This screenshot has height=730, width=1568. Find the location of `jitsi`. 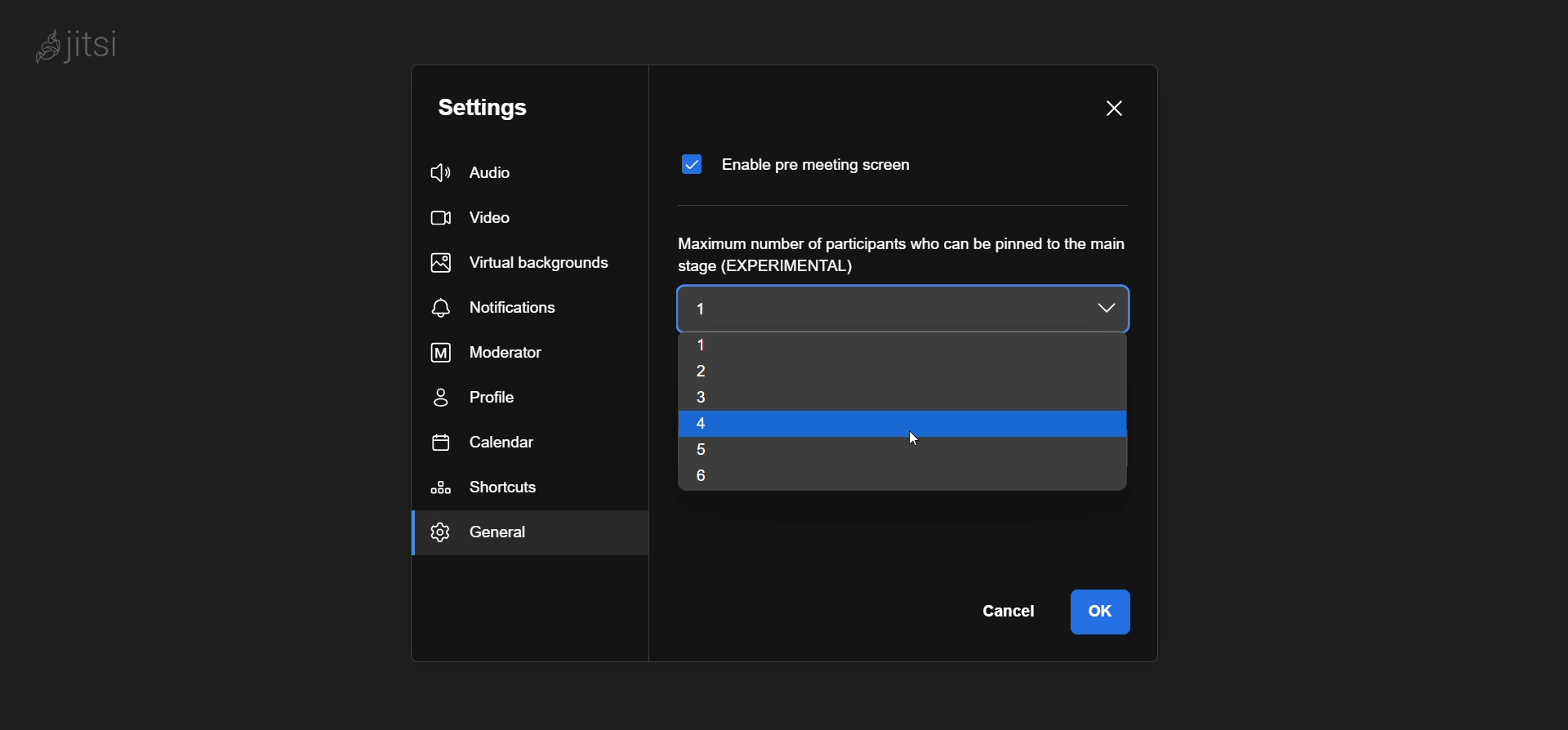

jitsi is located at coordinates (88, 47).